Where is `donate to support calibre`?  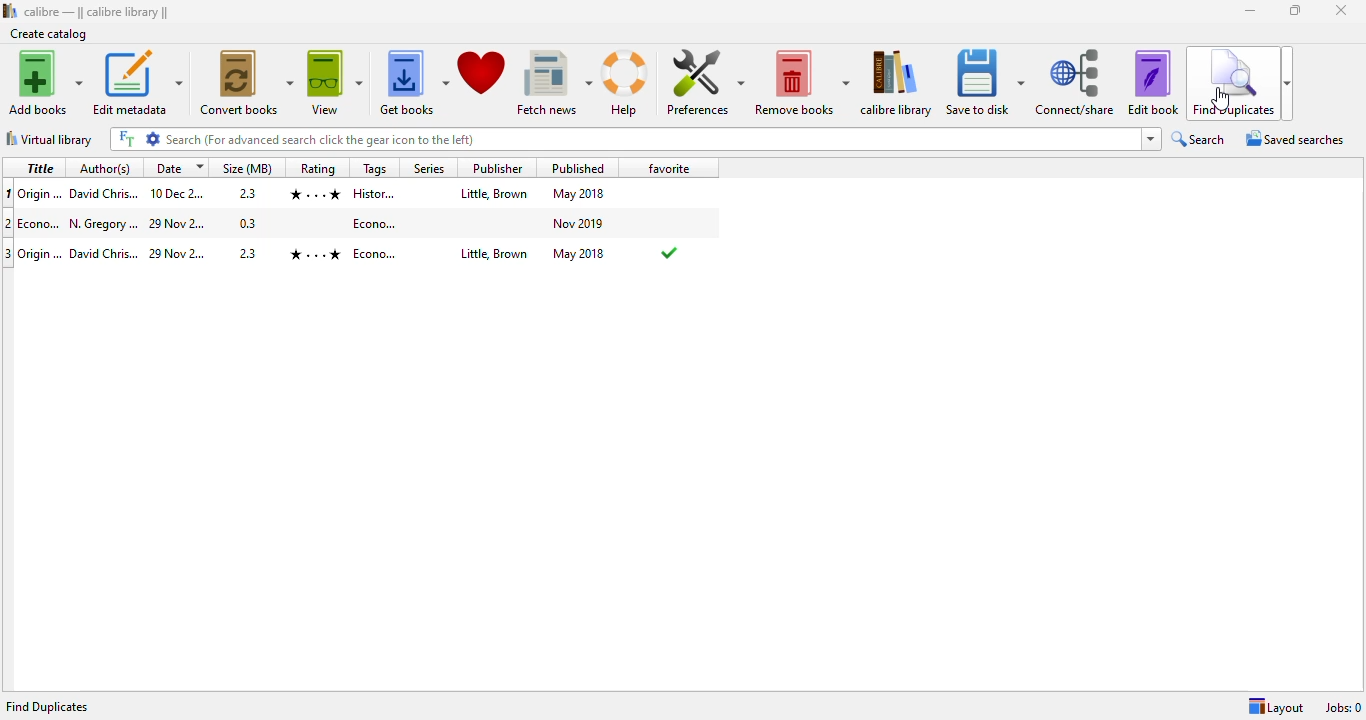 donate to support calibre is located at coordinates (482, 73).